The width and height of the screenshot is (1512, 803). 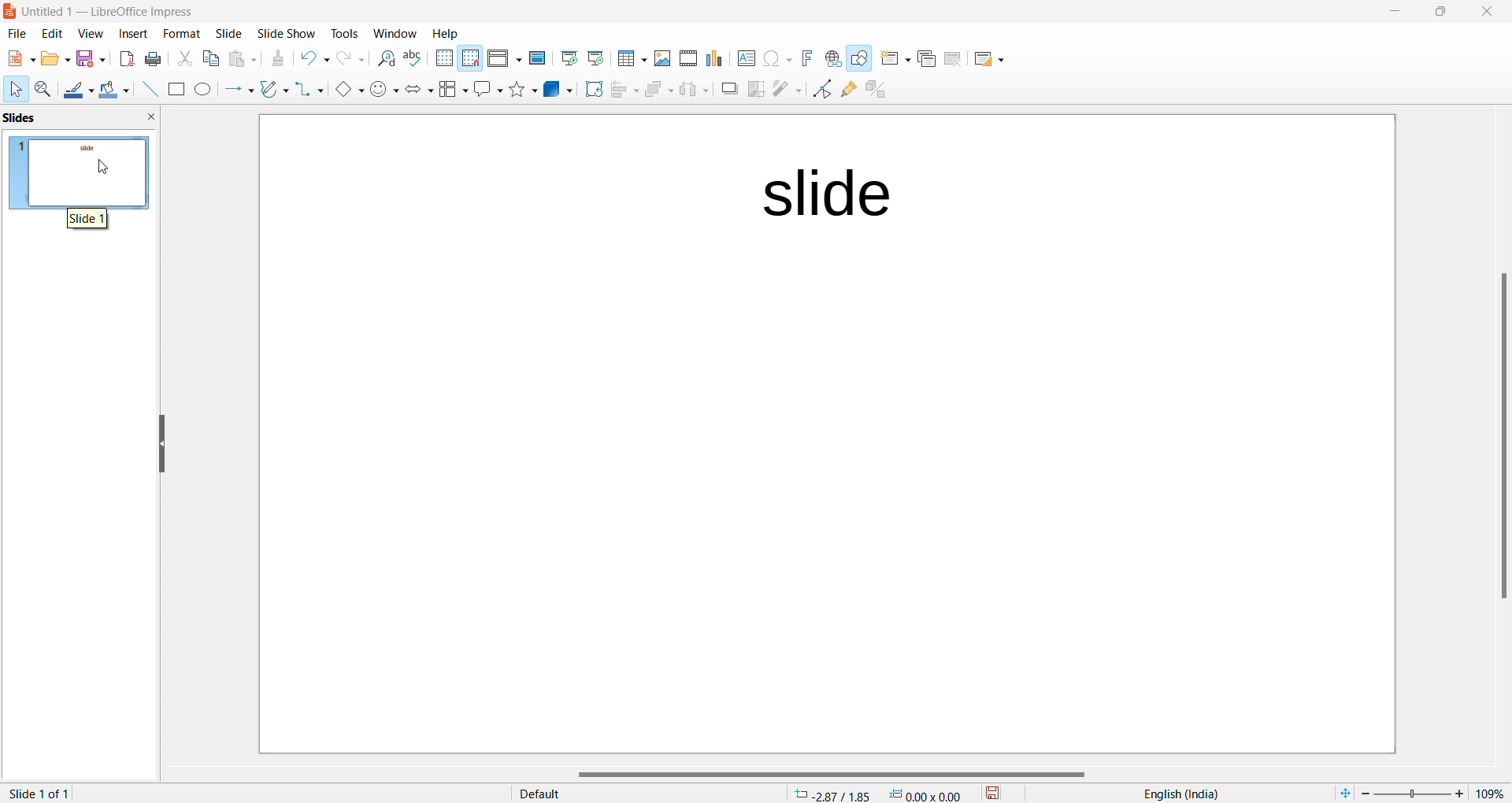 I want to click on Call out shapes, so click(x=486, y=90).